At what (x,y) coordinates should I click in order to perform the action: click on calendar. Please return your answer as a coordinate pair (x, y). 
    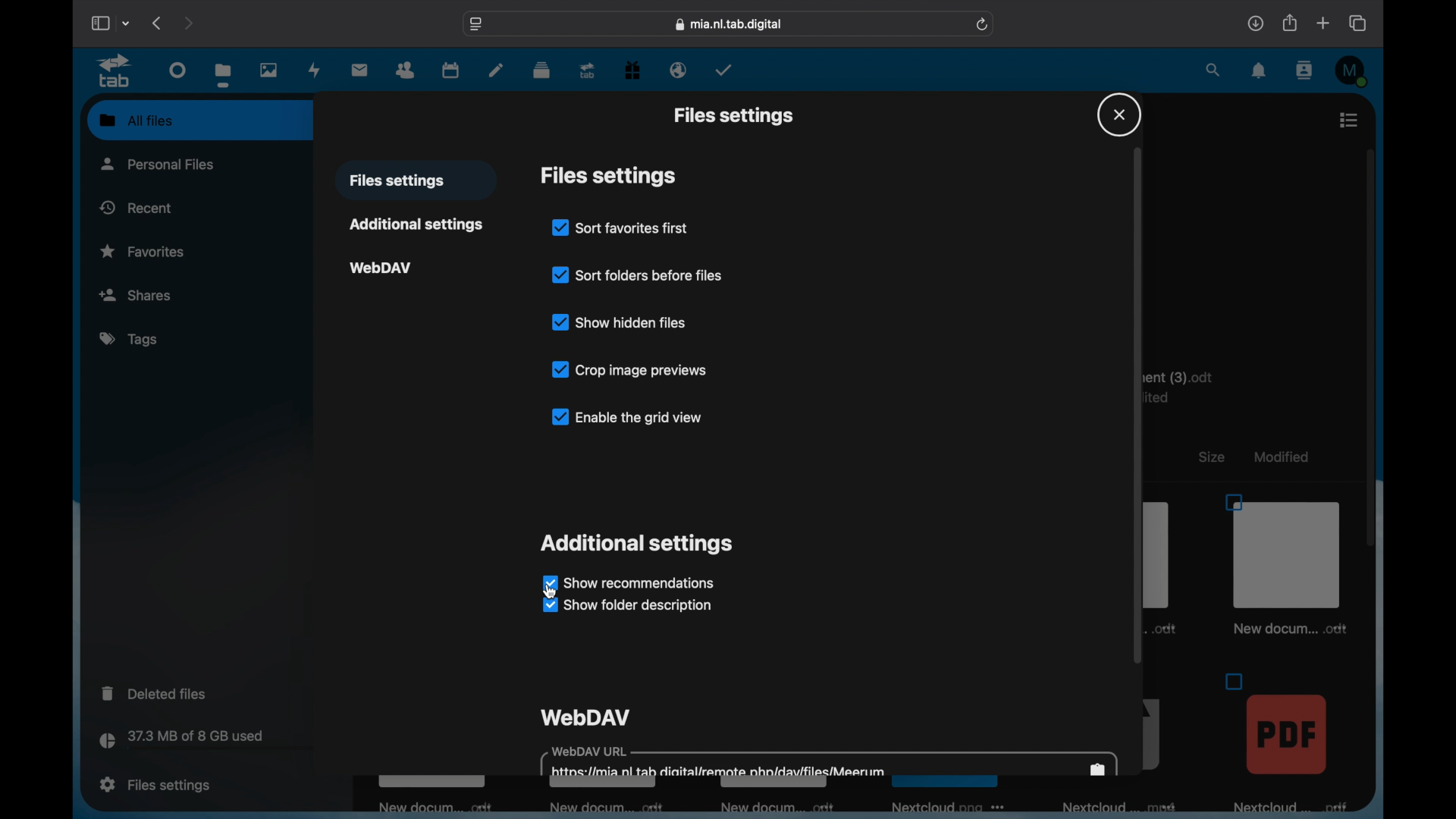
    Looking at the image, I should click on (450, 69).